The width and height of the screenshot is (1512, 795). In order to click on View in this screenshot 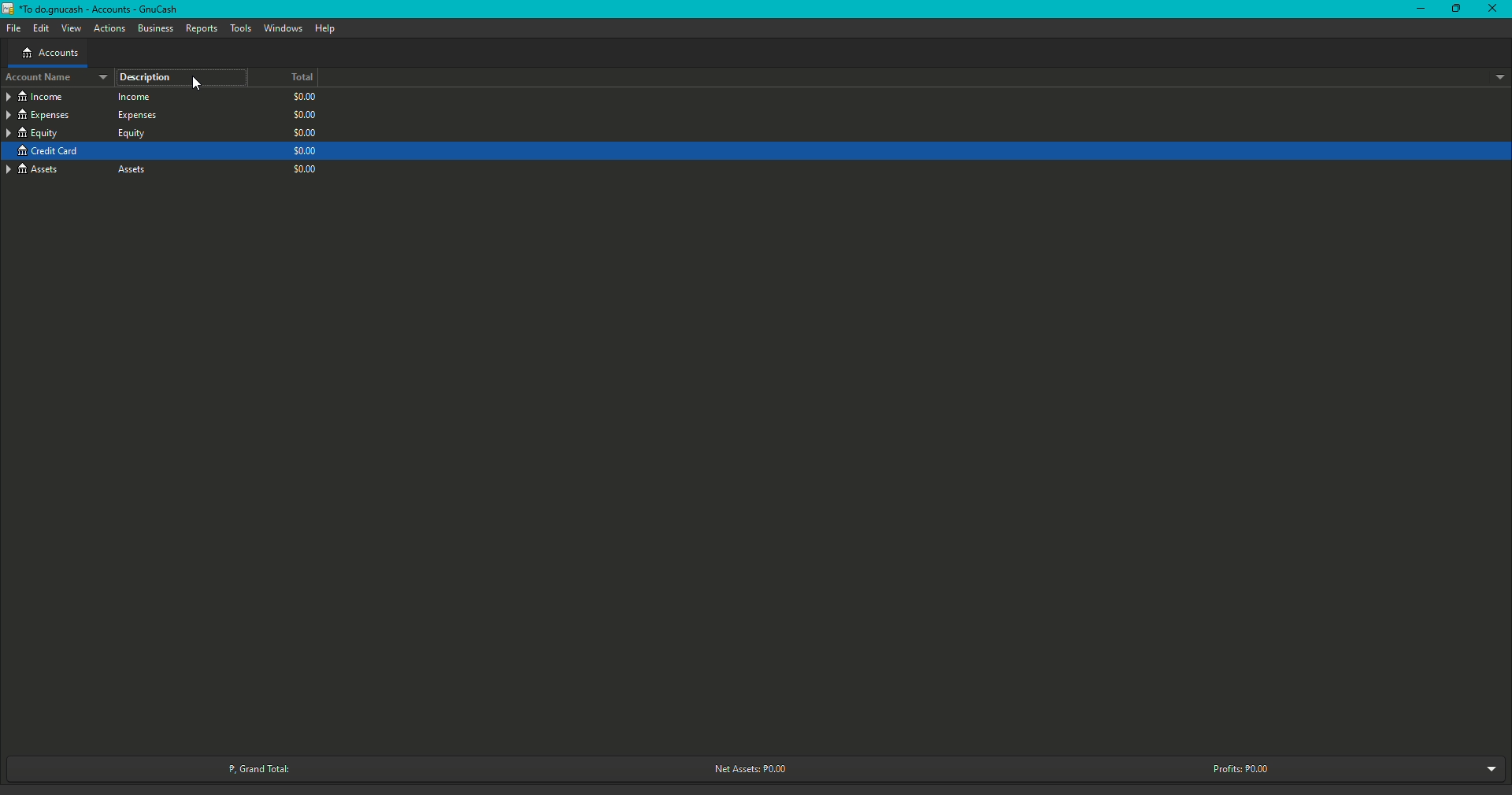, I will do `click(69, 29)`.